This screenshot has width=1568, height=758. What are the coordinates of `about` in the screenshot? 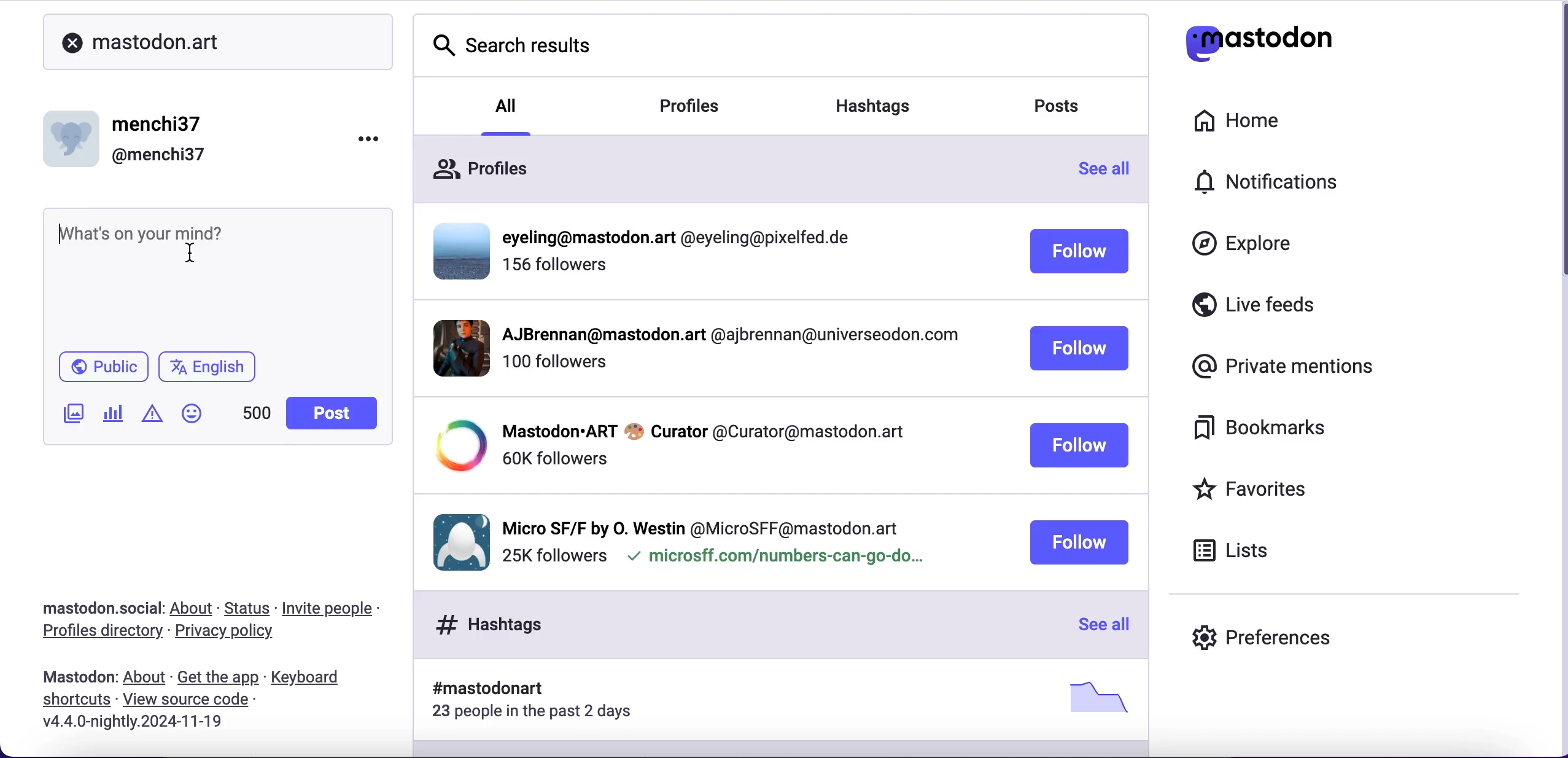 It's located at (192, 607).